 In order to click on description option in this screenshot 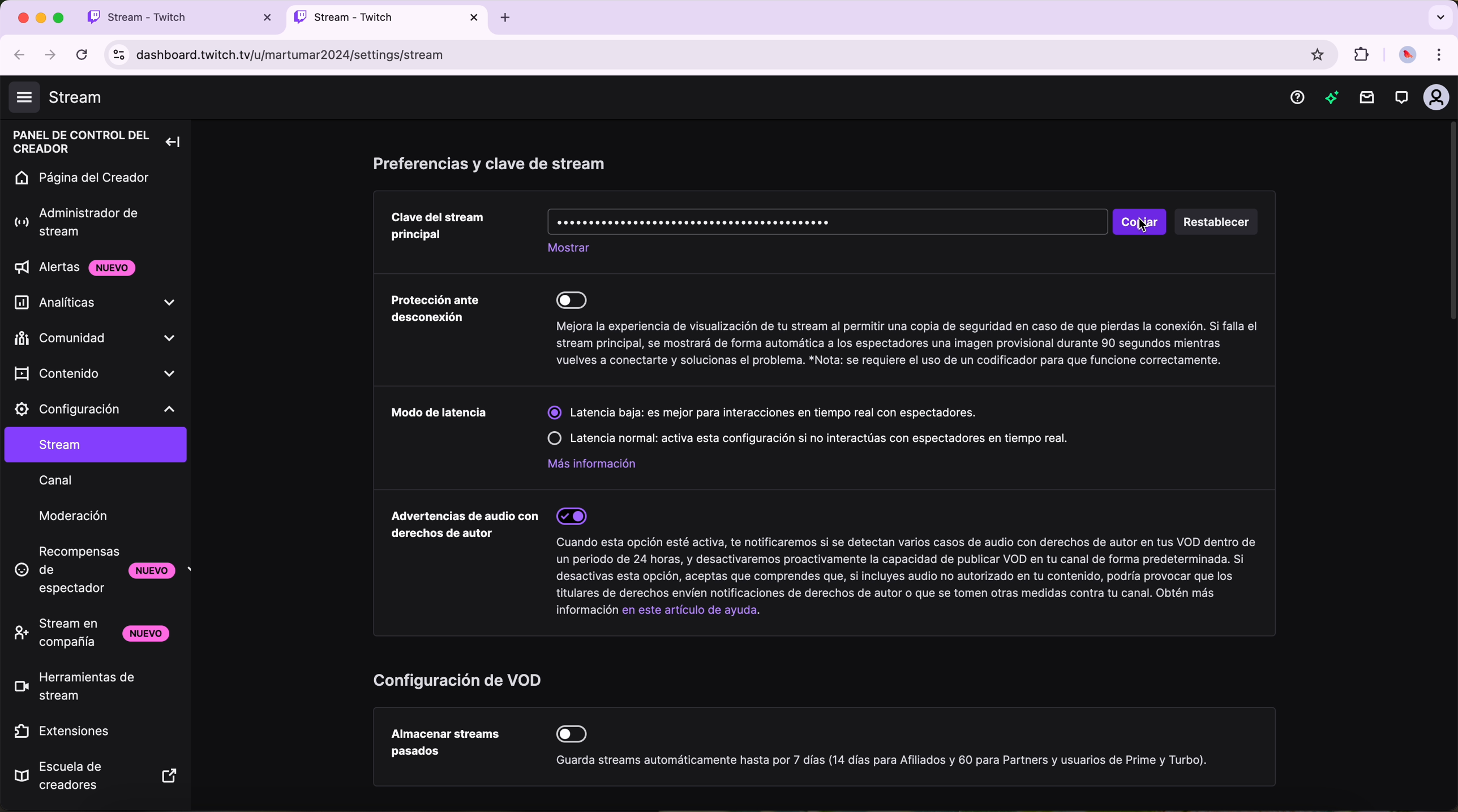, I will do `click(886, 761)`.